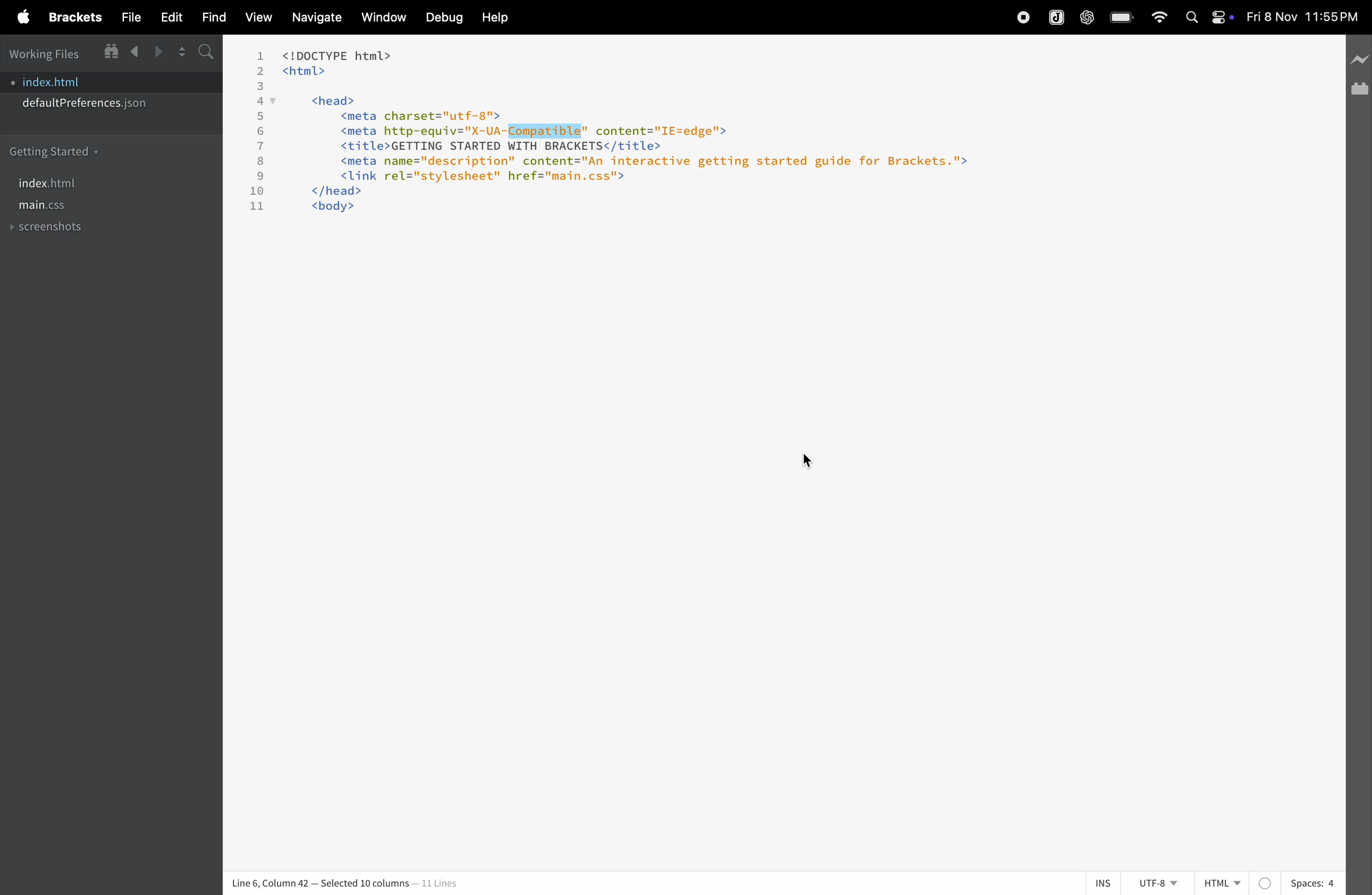 This screenshot has height=895, width=1372. Describe the element at coordinates (1085, 18) in the screenshot. I see `chatgpt` at that location.